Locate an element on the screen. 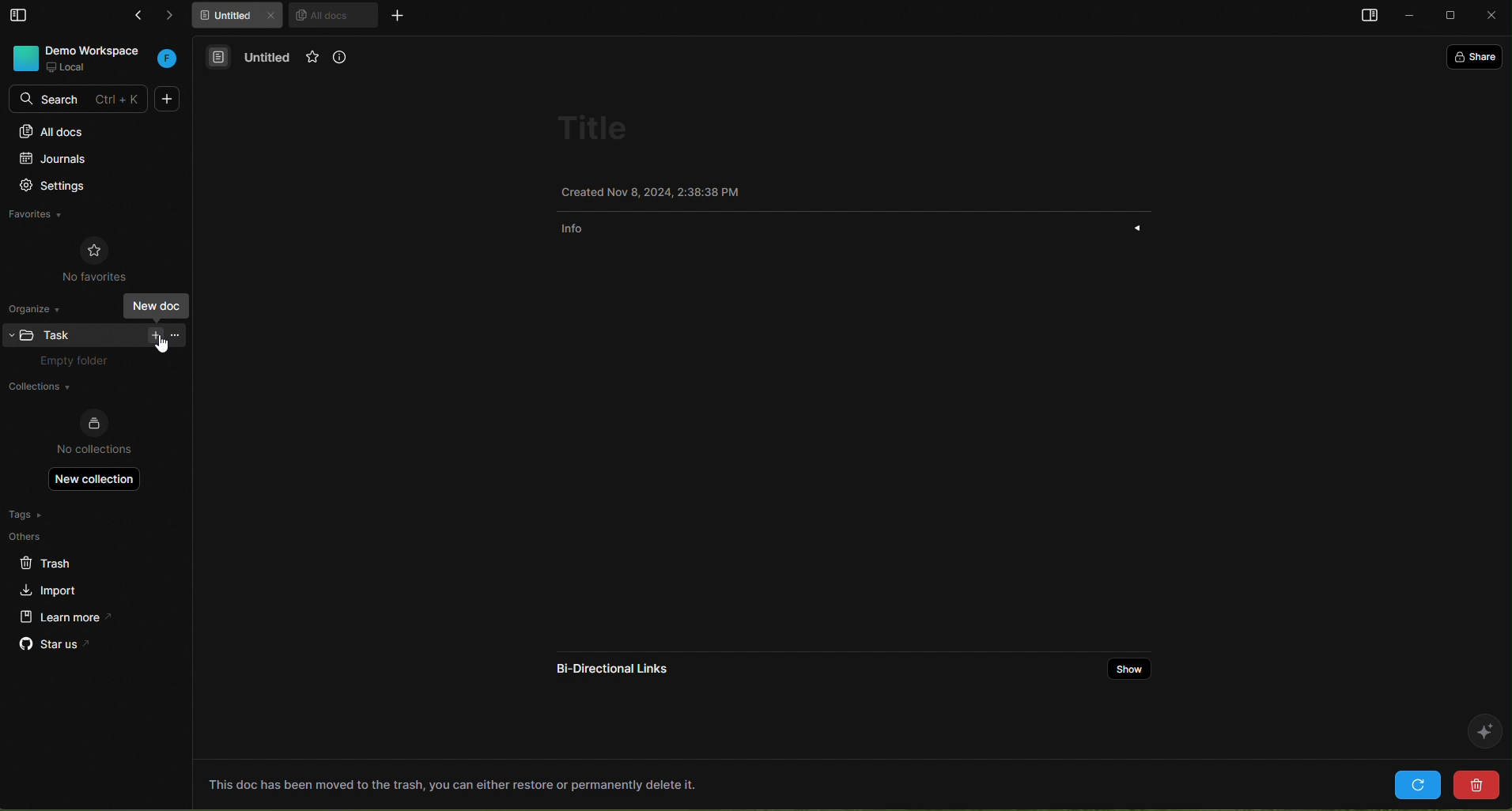  all docs is located at coordinates (93, 130).